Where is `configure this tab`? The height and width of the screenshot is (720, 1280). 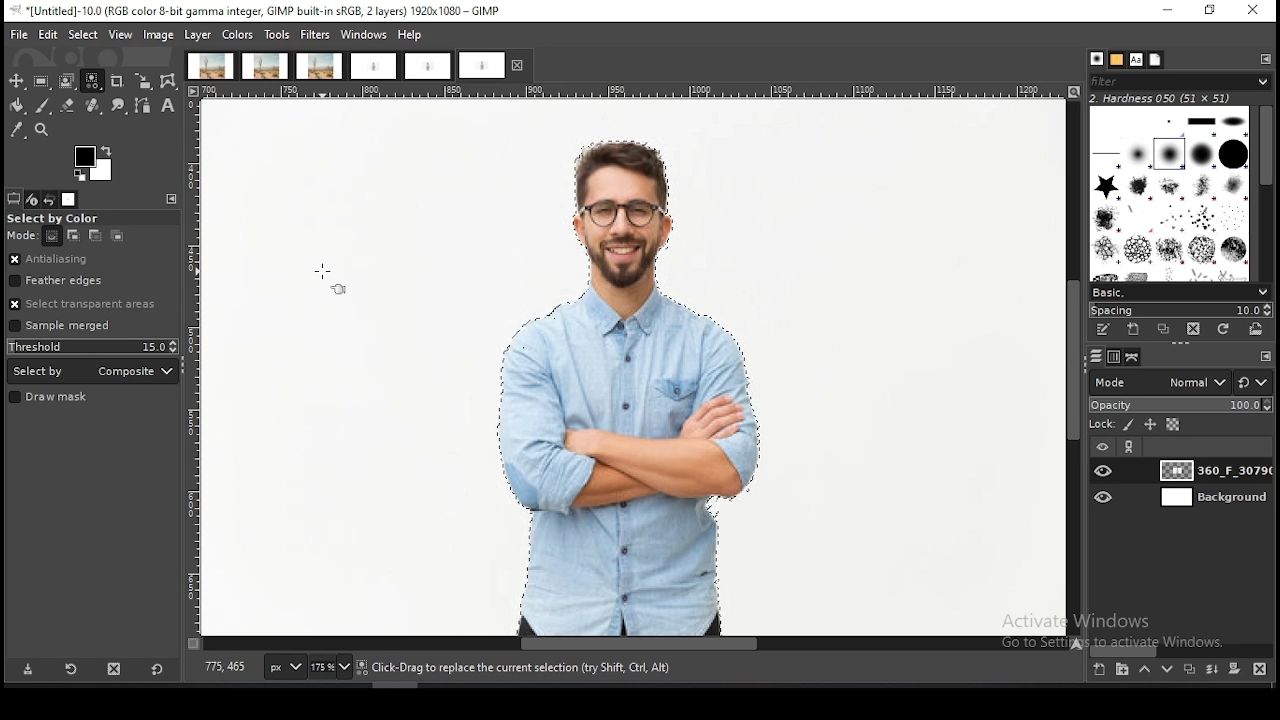 configure this tab is located at coordinates (1267, 58).